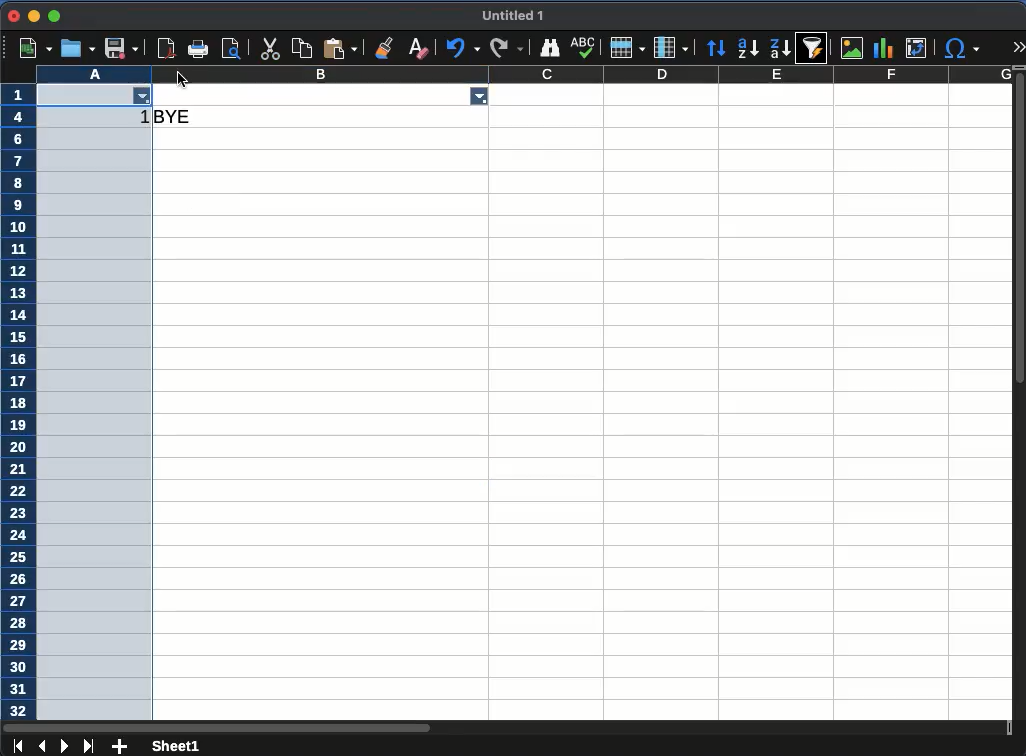 This screenshot has width=1026, height=756. I want to click on 1, so click(142, 119).